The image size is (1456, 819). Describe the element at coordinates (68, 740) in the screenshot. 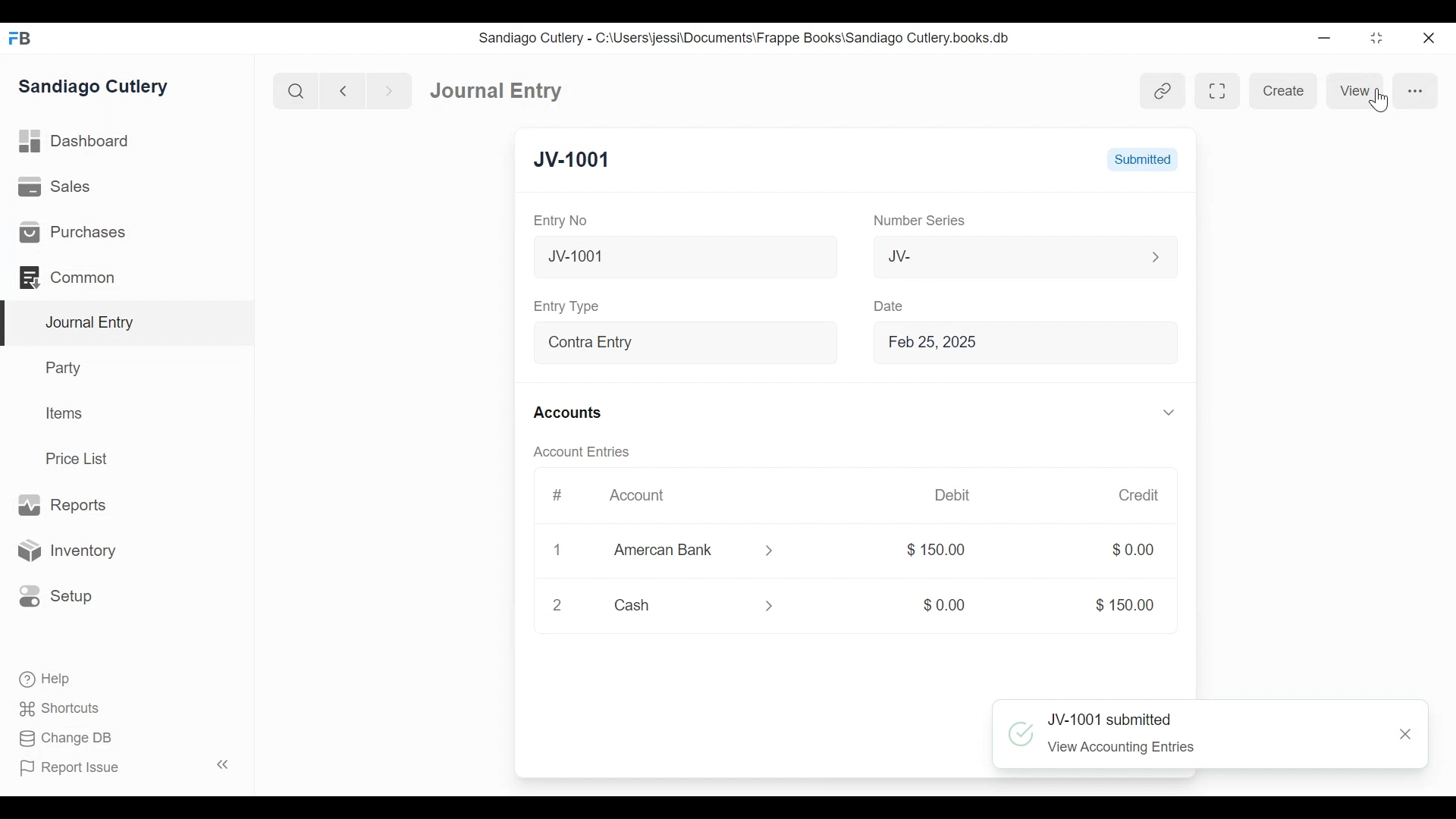

I see `Change DB` at that location.